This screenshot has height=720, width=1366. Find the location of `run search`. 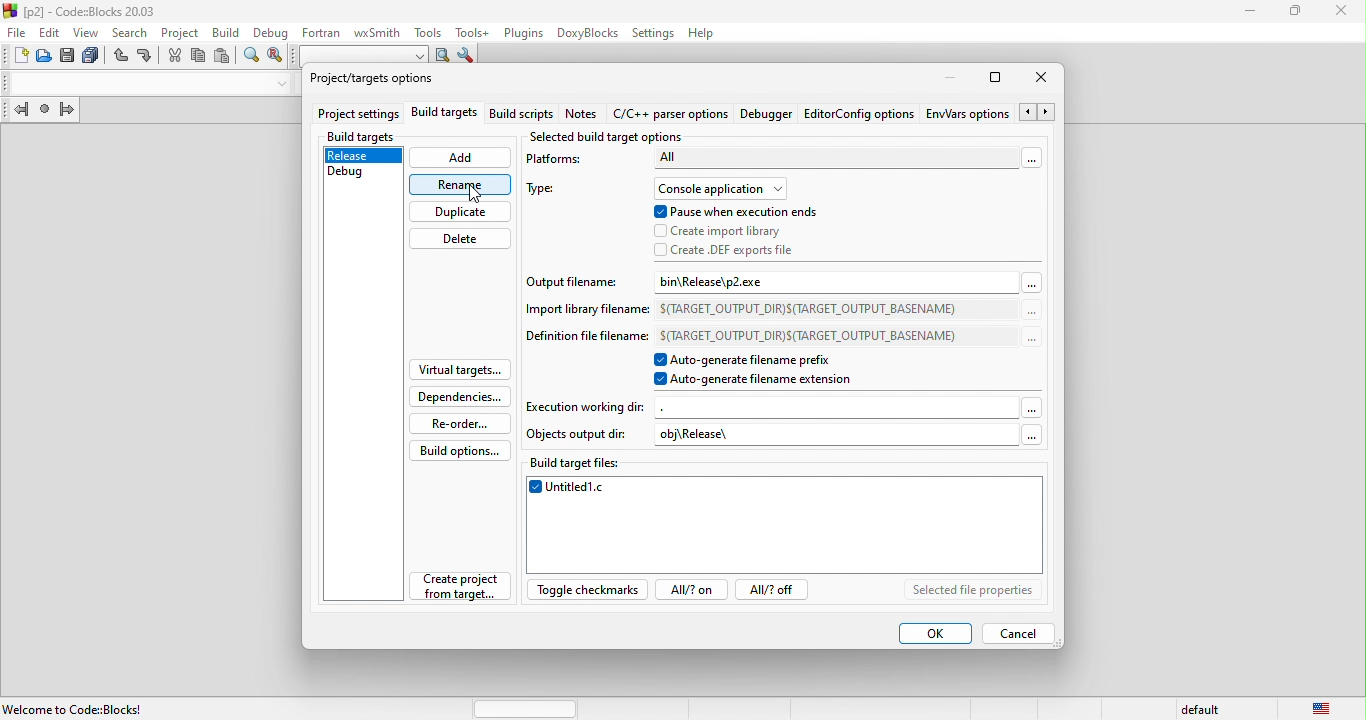

run search is located at coordinates (443, 56).